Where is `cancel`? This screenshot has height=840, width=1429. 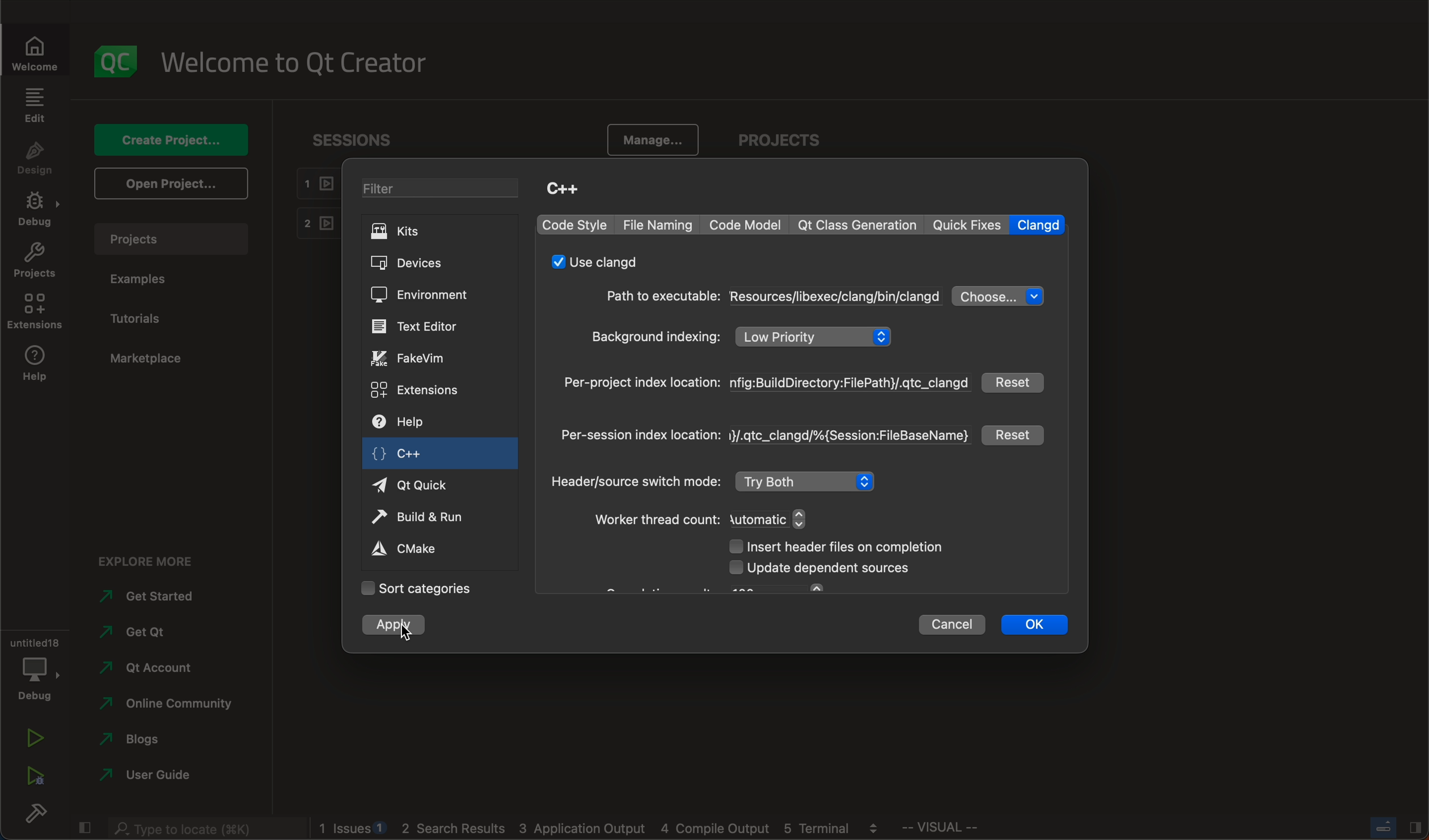 cancel is located at coordinates (954, 627).